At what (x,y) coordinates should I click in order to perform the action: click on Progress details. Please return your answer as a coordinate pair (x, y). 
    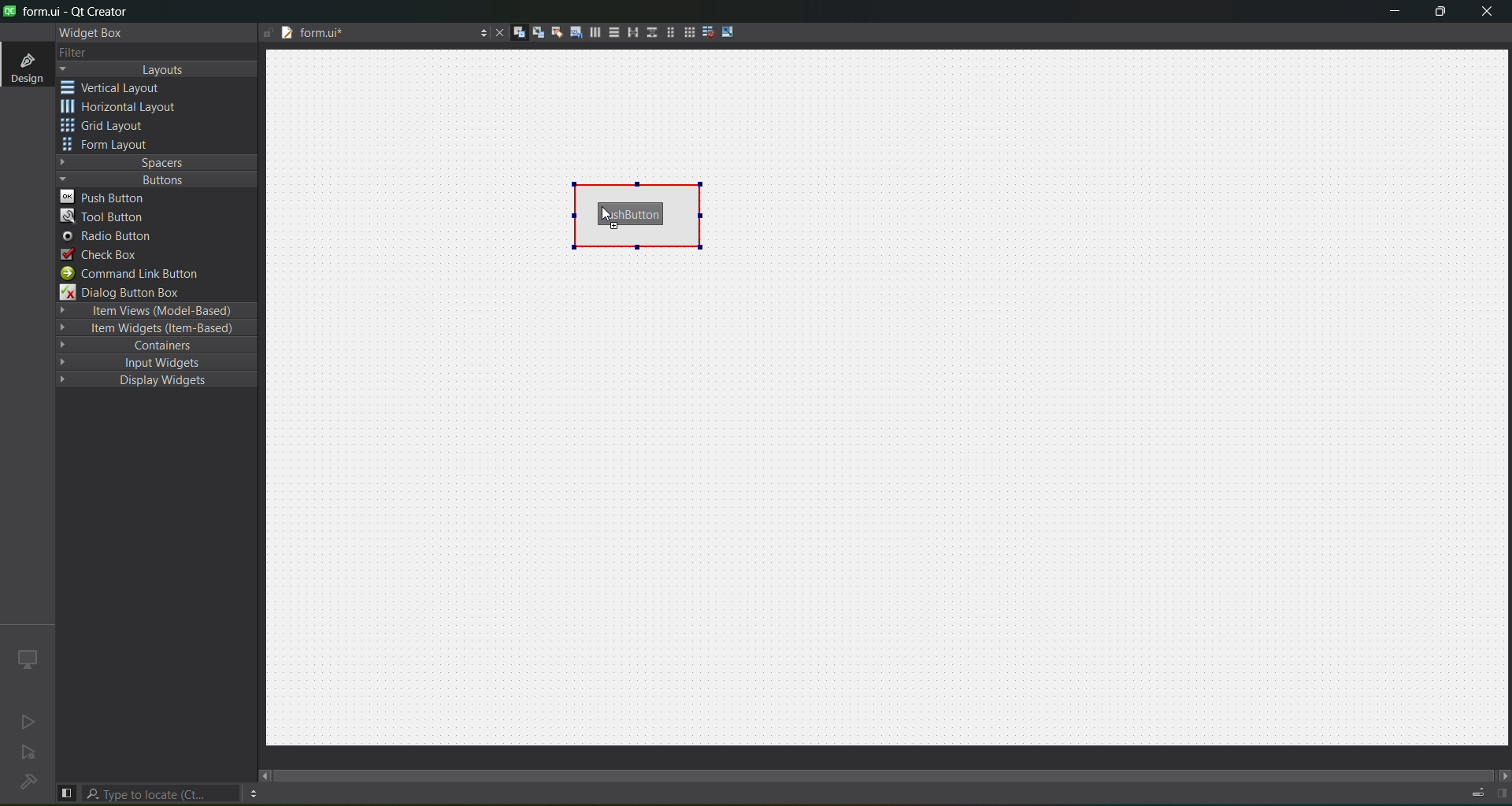
    Looking at the image, I should click on (1470, 790).